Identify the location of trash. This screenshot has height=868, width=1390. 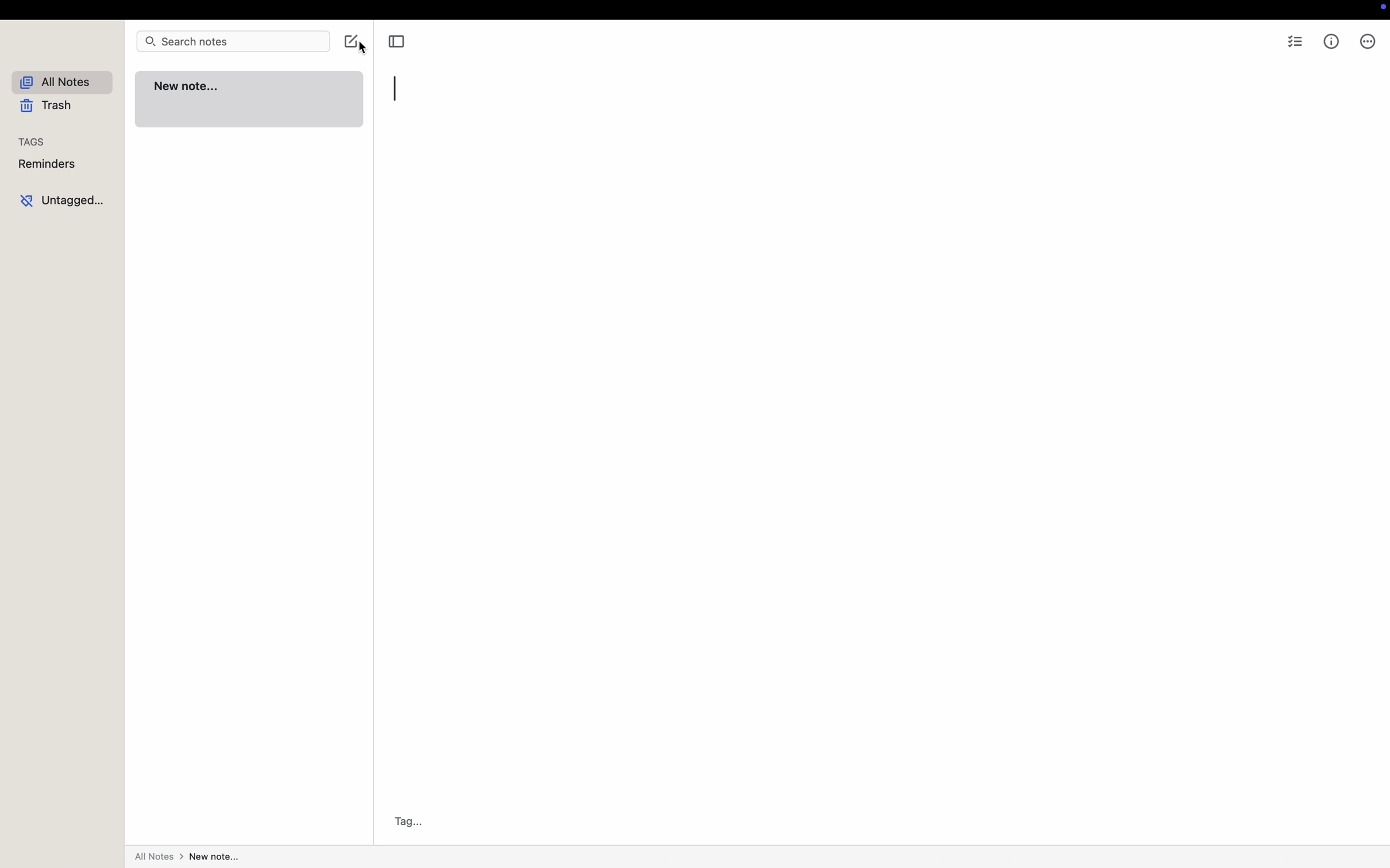
(46, 106).